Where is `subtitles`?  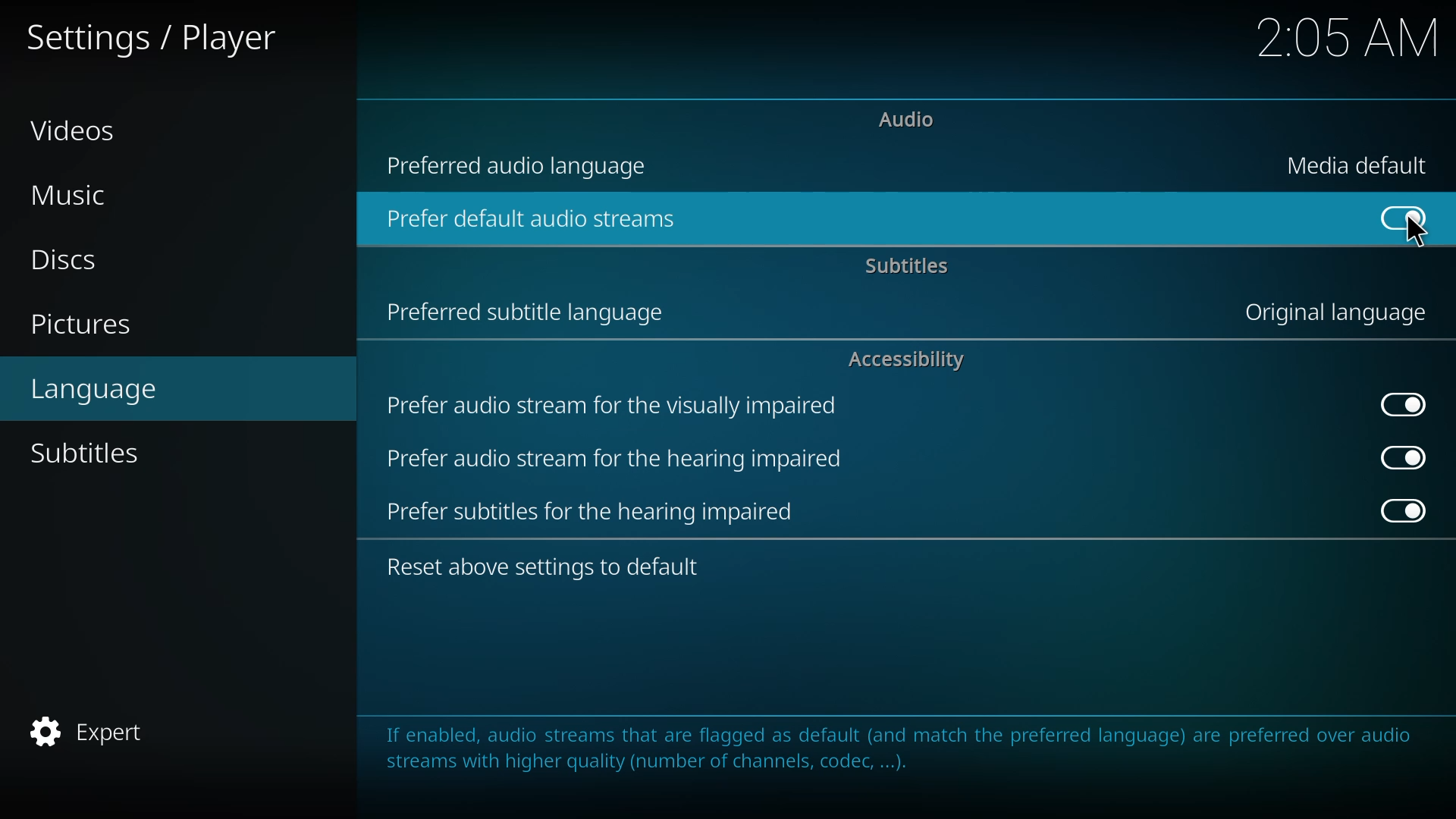
subtitles is located at coordinates (910, 265).